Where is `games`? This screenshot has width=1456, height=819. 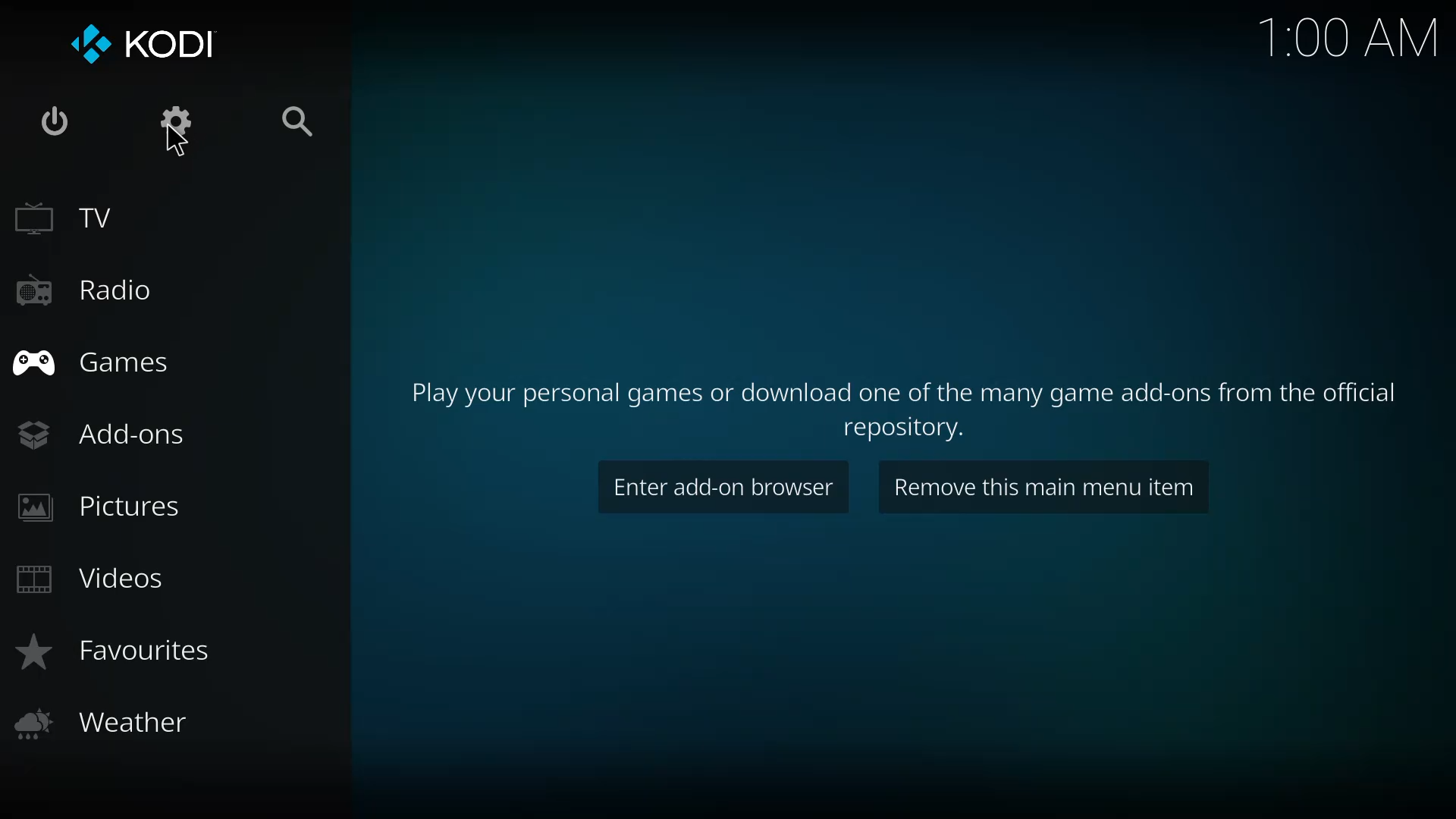
games is located at coordinates (98, 361).